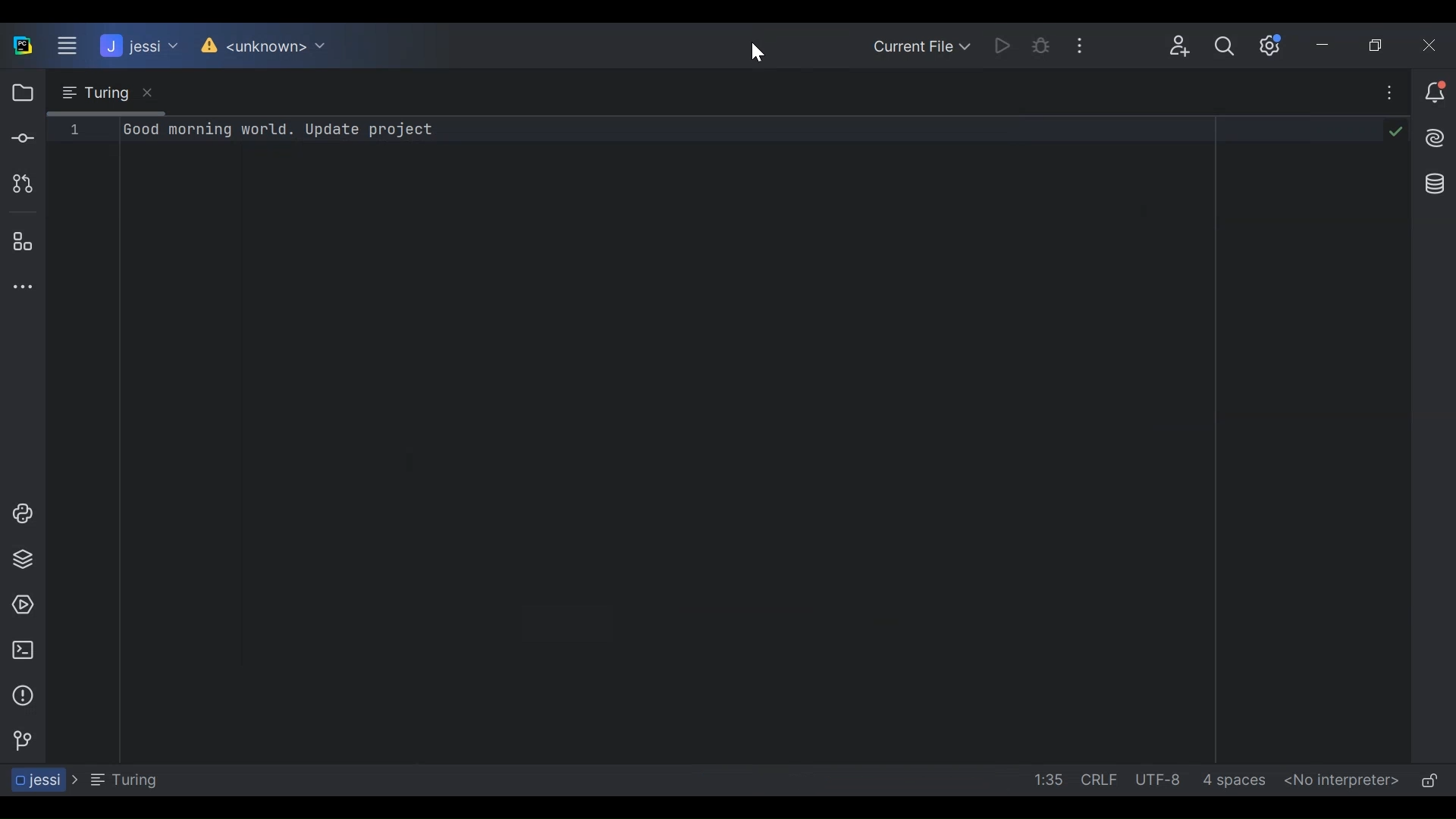 The height and width of the screenshot is (819, 1456). What do you see at coordinates (40, 780) in the screenshot?
I see `jessi` at bounding box center [40, 780].